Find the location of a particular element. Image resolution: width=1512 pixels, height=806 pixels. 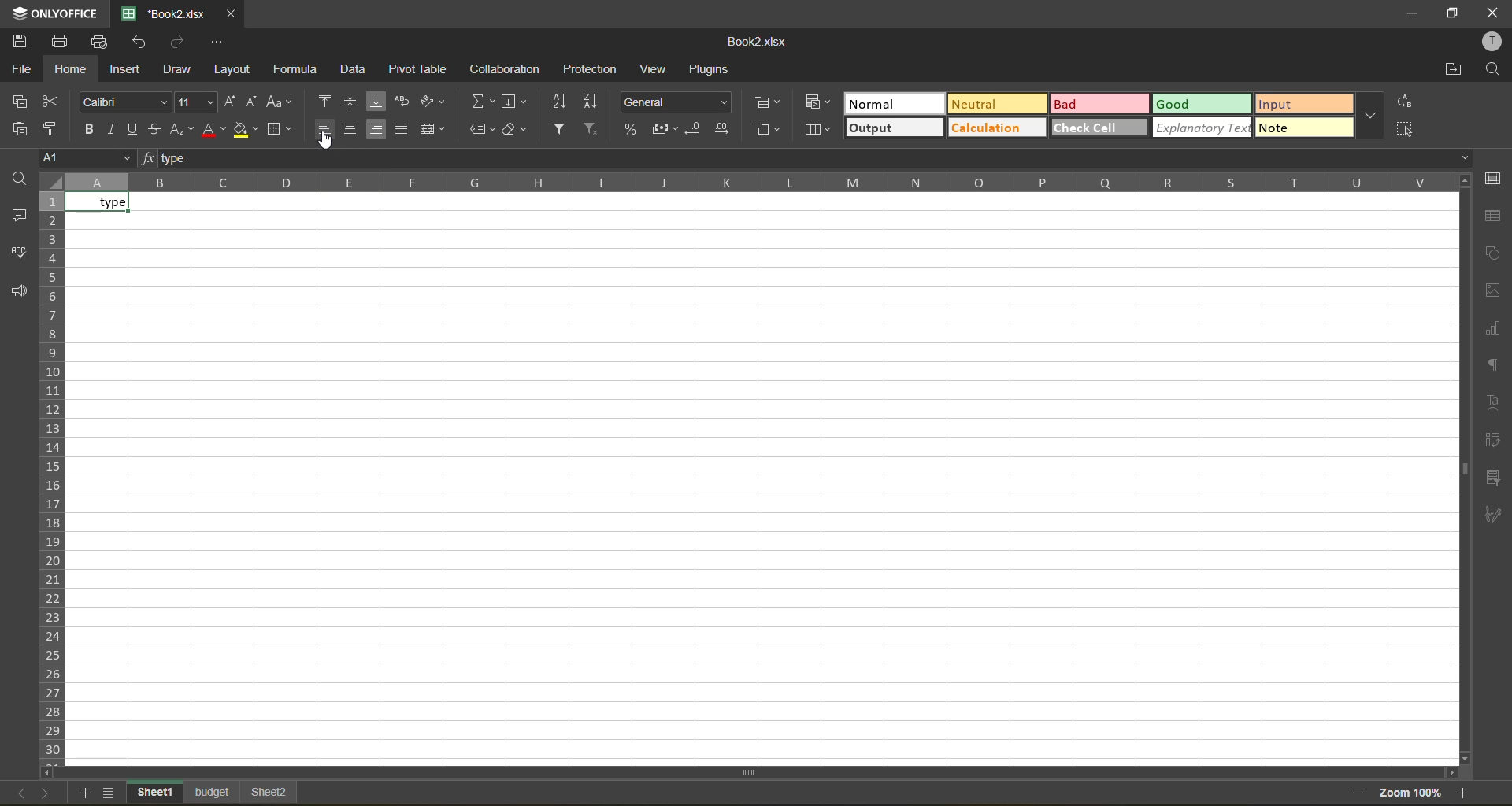

fill color is located at coordinates (246, 129).